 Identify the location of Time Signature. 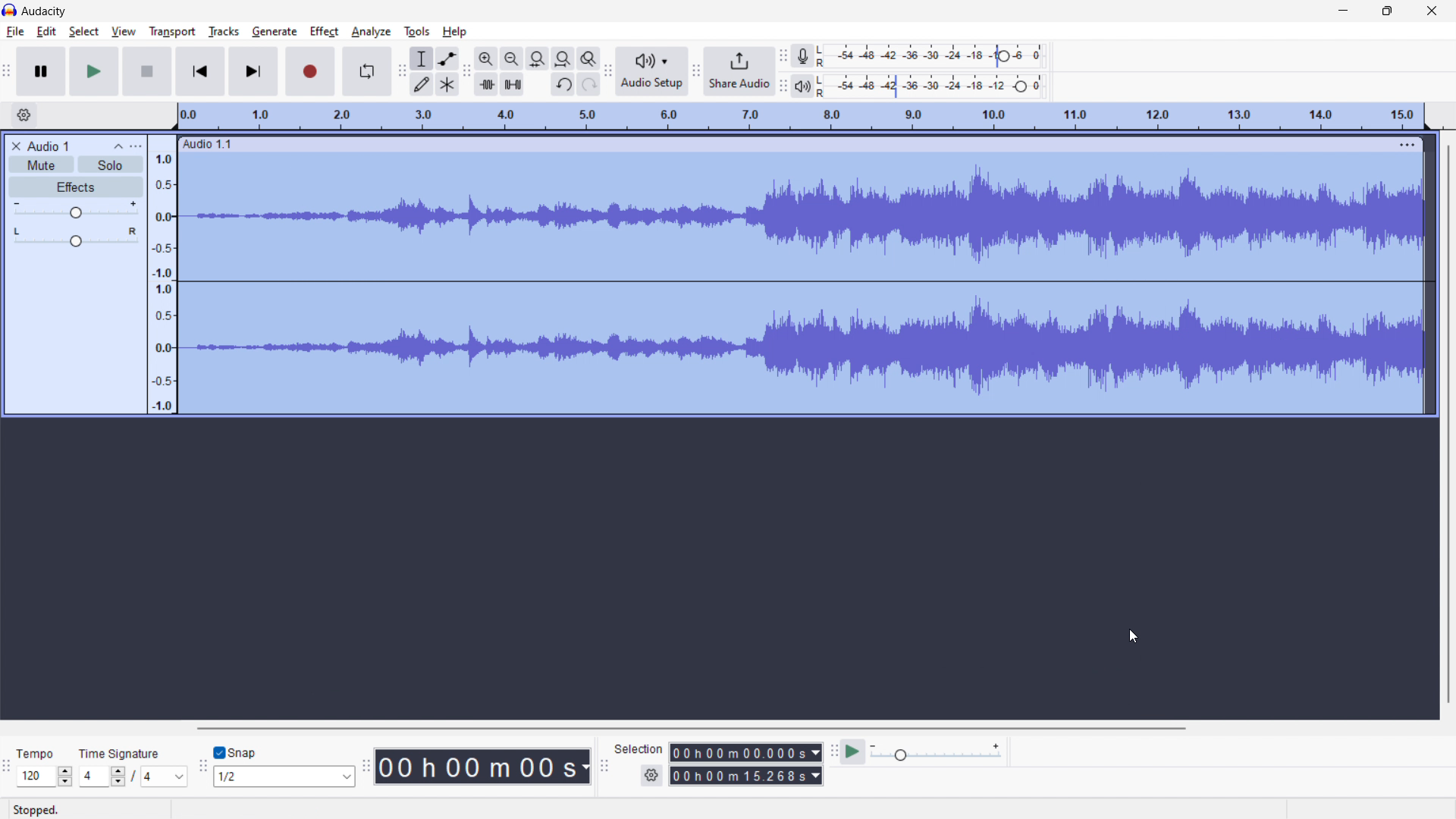
(121, 750).